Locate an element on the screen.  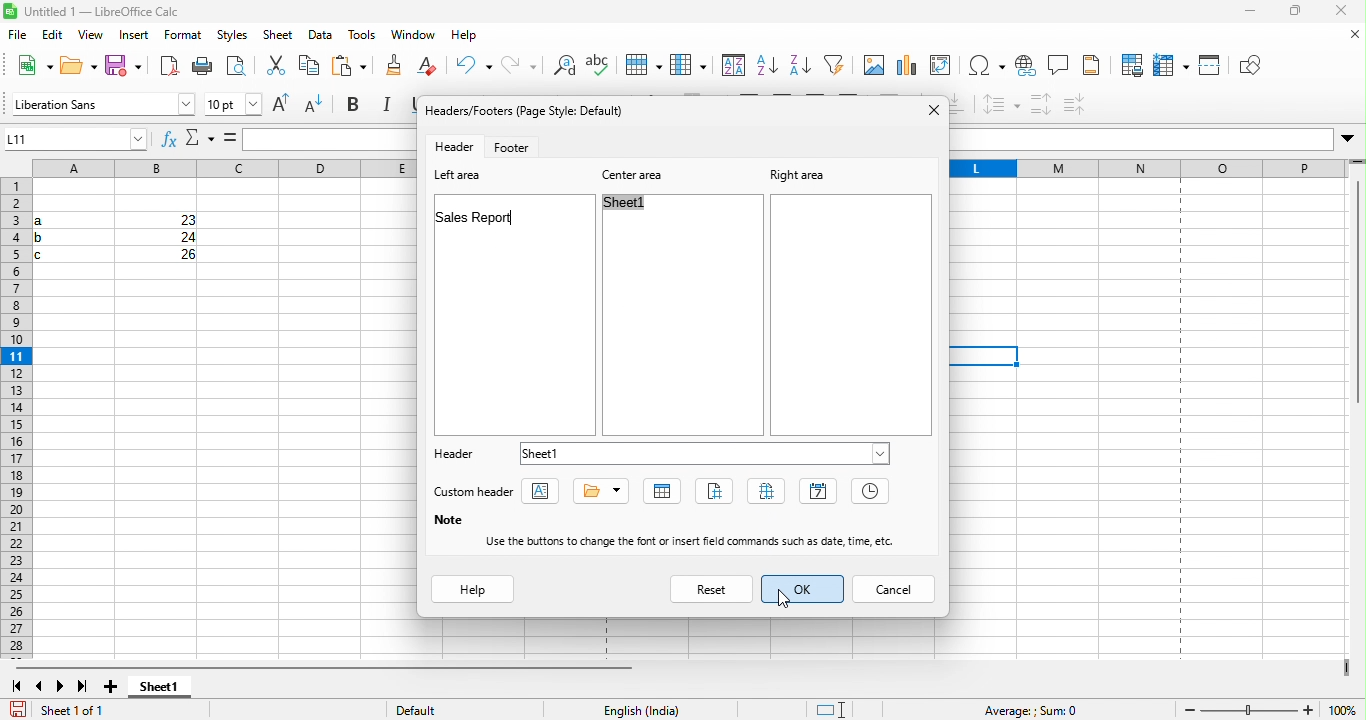
sort is located at coordinates (689, 65).